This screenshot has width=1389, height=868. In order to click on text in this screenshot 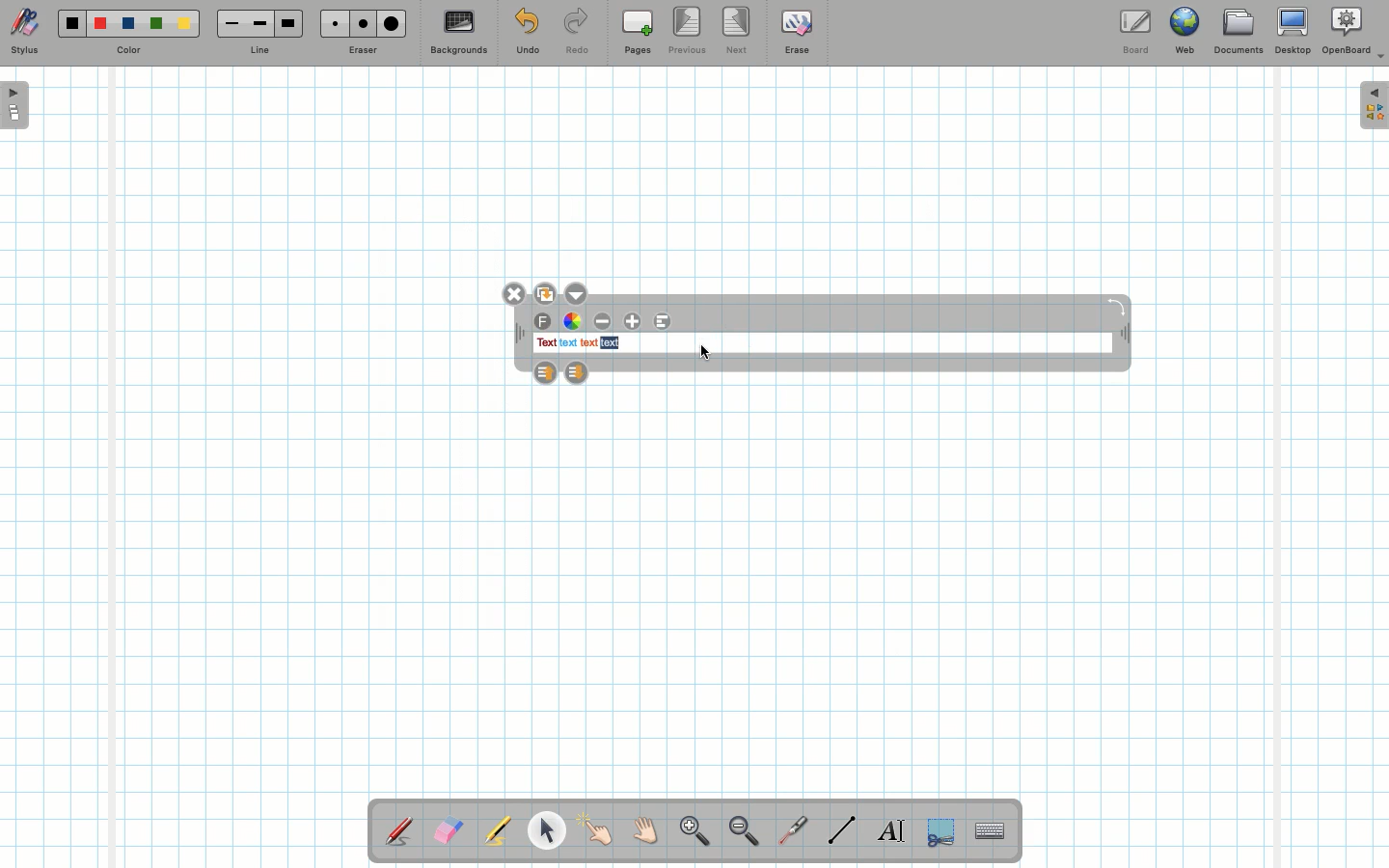, I will do `click(545, 343)`.